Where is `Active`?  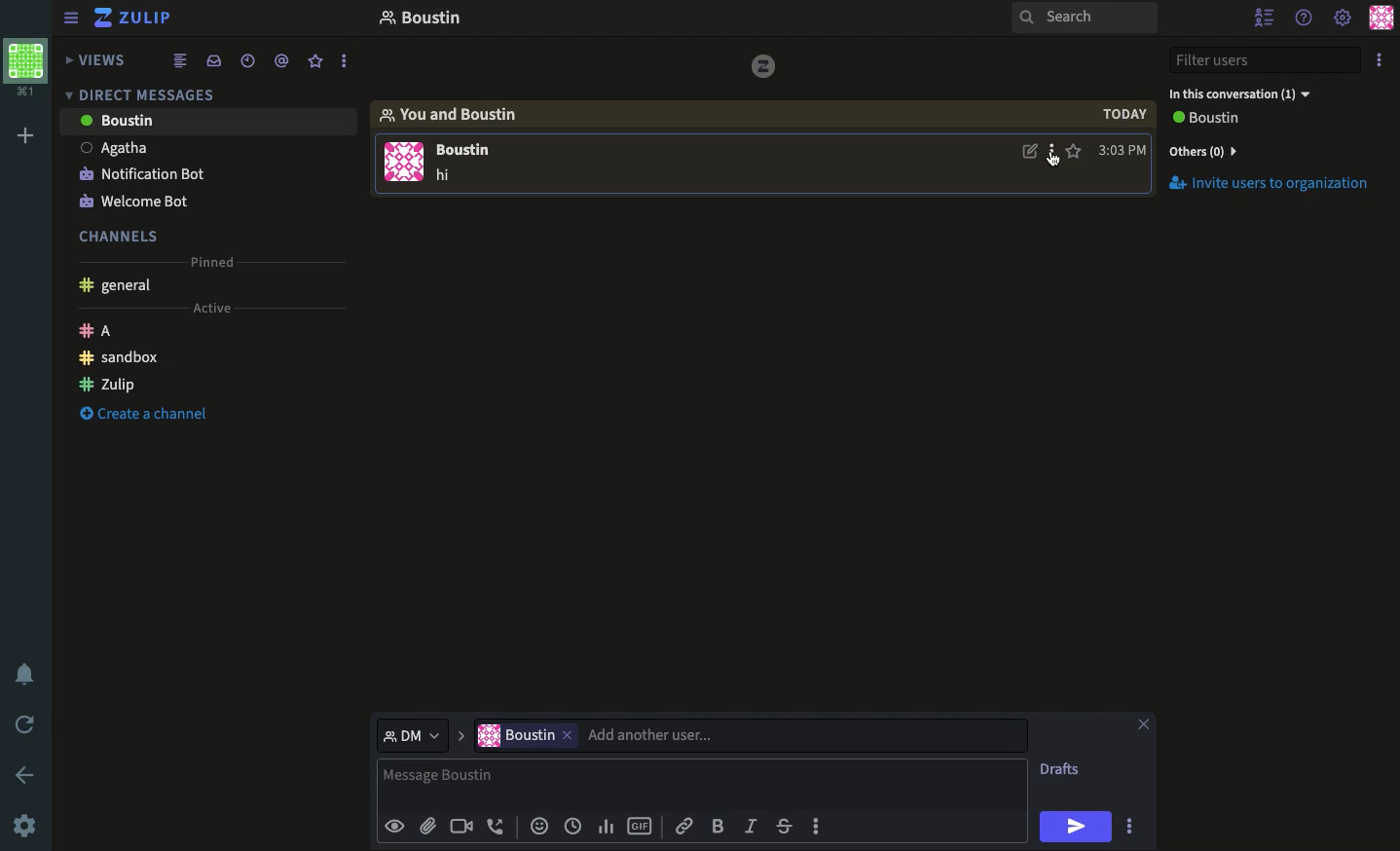
Active is located at coordinates (219, 308).